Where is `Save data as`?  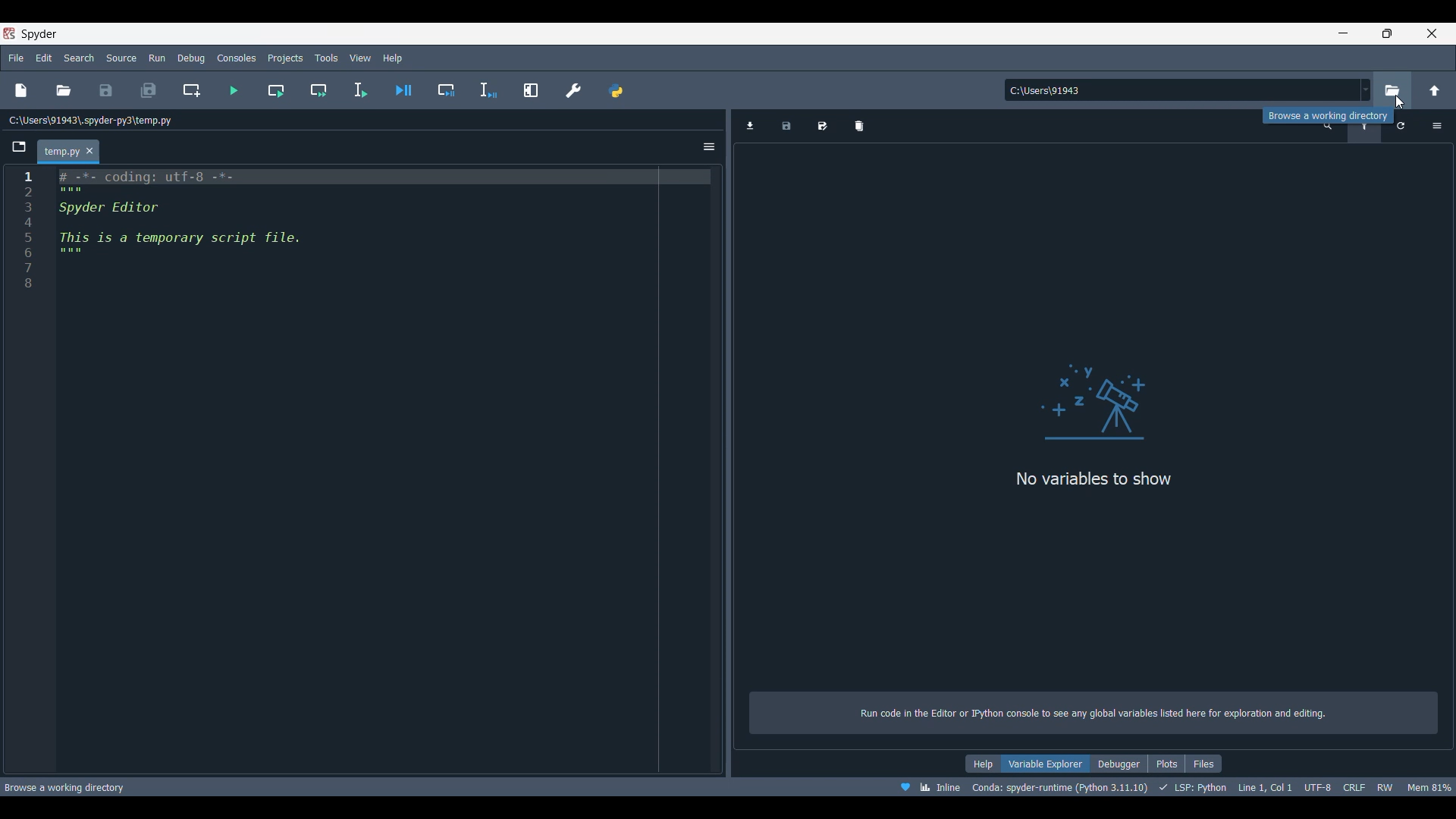
Save data as is located at coordinates (822, 126).